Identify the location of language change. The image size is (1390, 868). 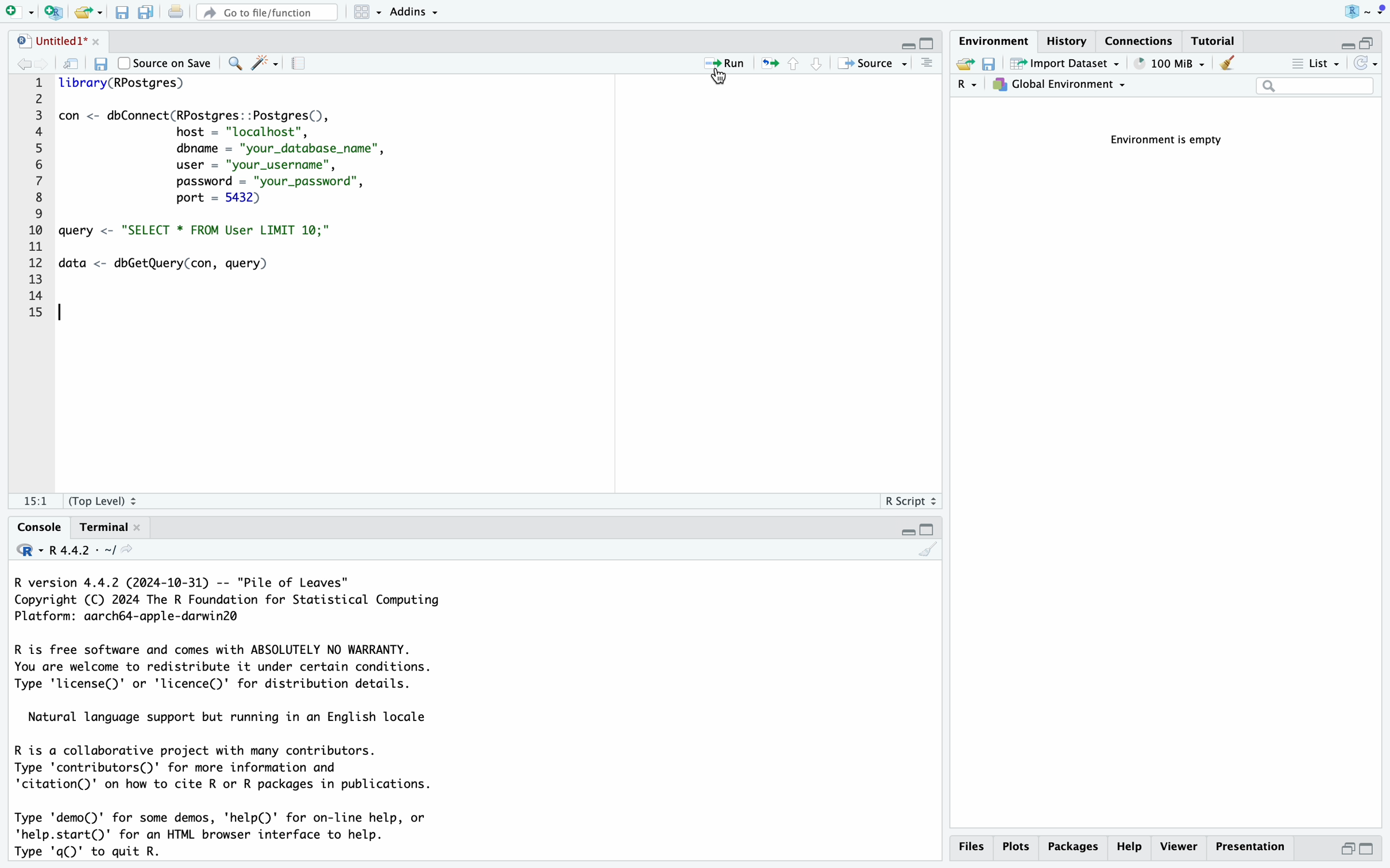
(24, 549).